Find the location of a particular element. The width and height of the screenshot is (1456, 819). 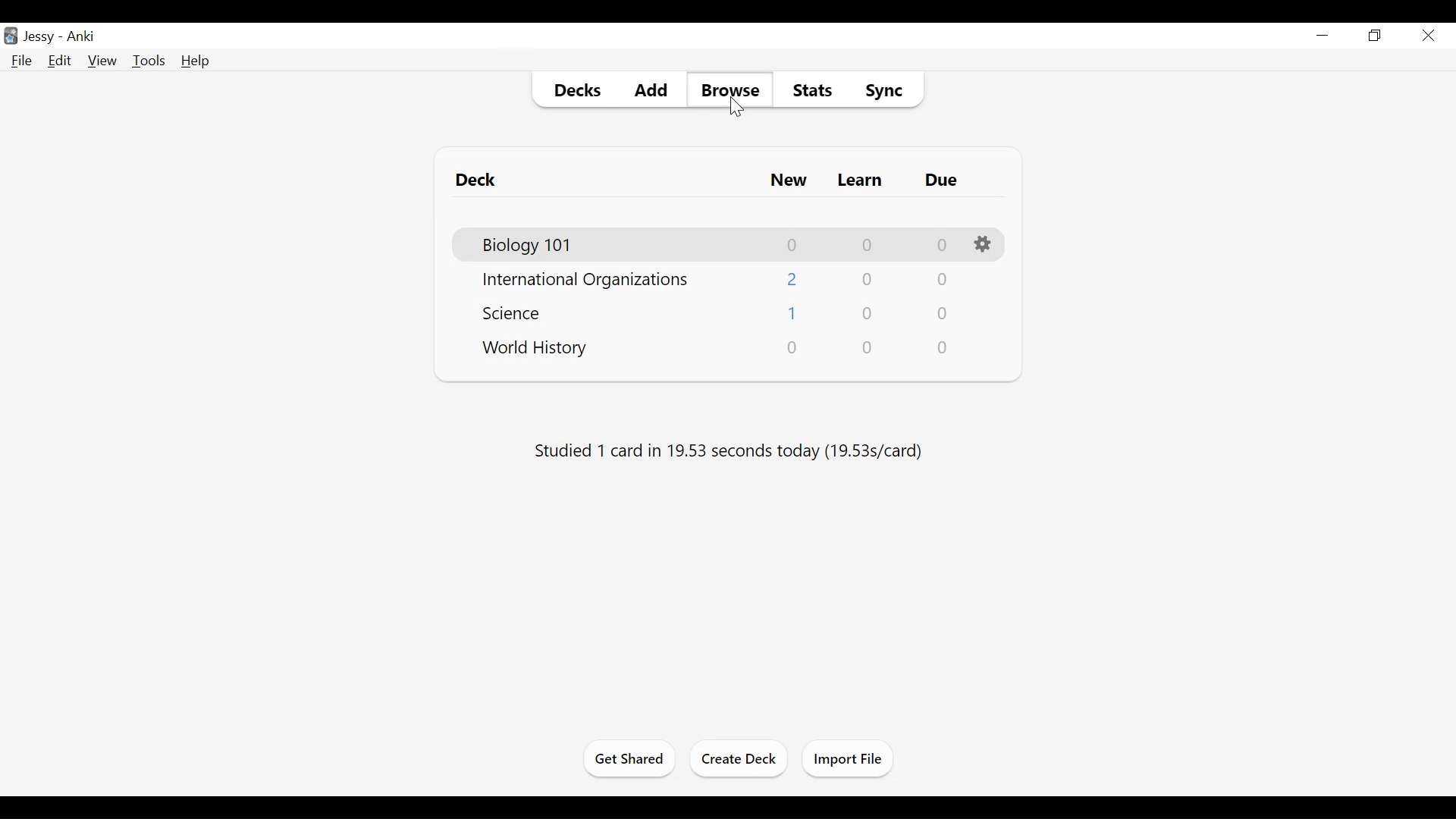

Get Shared is located at coordinates (627, 761).